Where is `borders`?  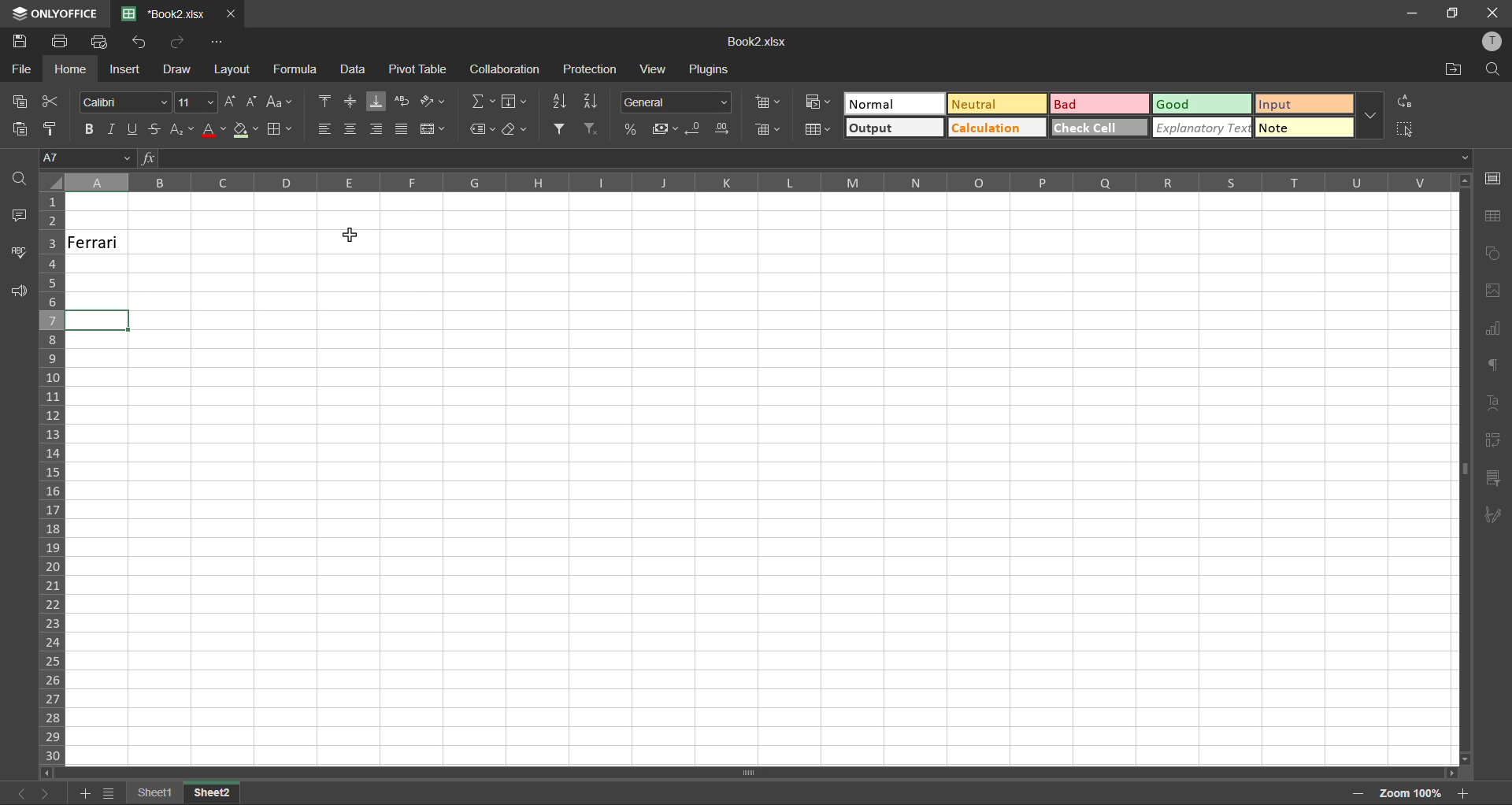 borders is located at coordinates (280, 131).